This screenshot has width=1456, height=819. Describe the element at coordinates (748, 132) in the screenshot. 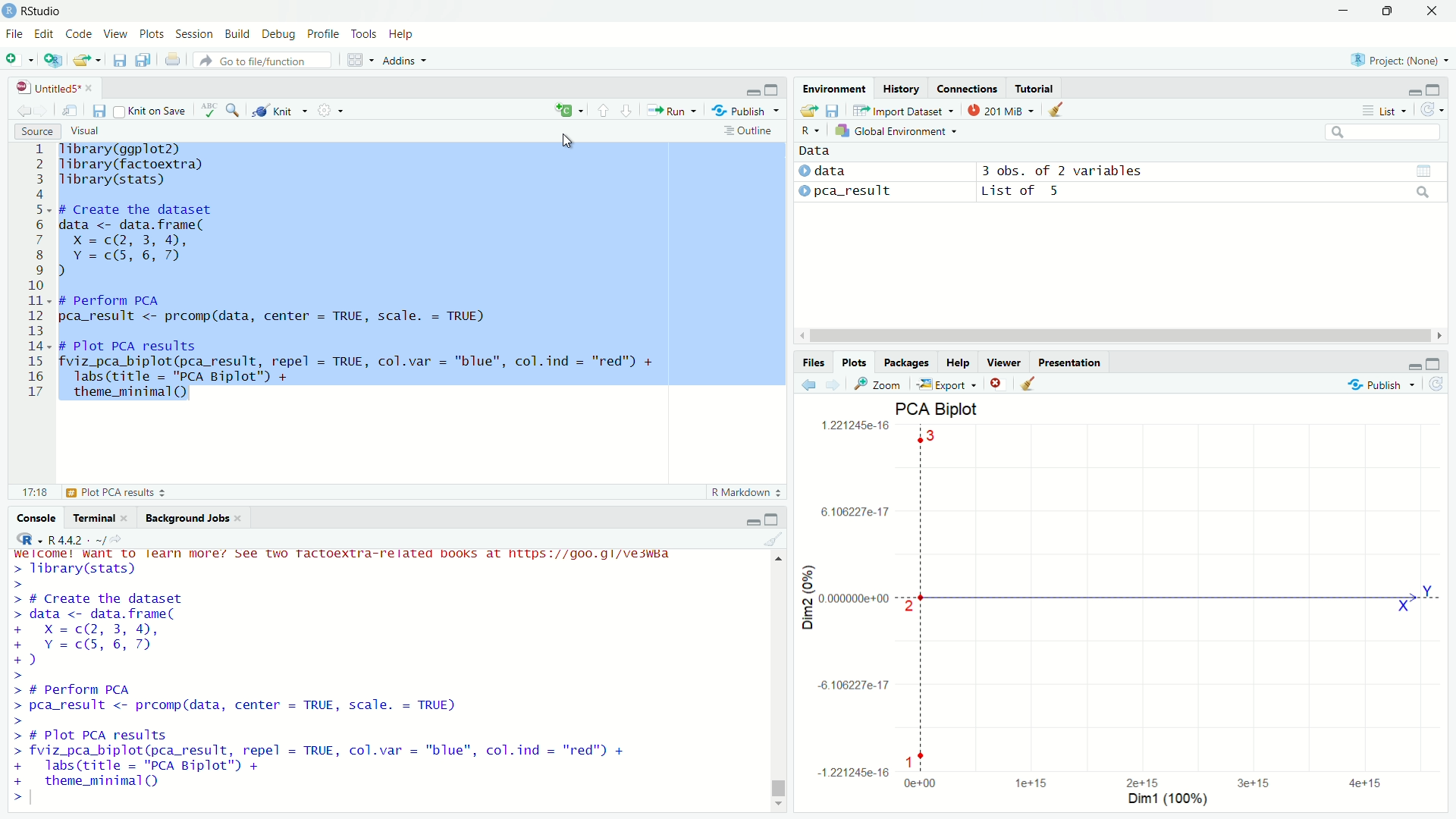

I see `outline` at that location.